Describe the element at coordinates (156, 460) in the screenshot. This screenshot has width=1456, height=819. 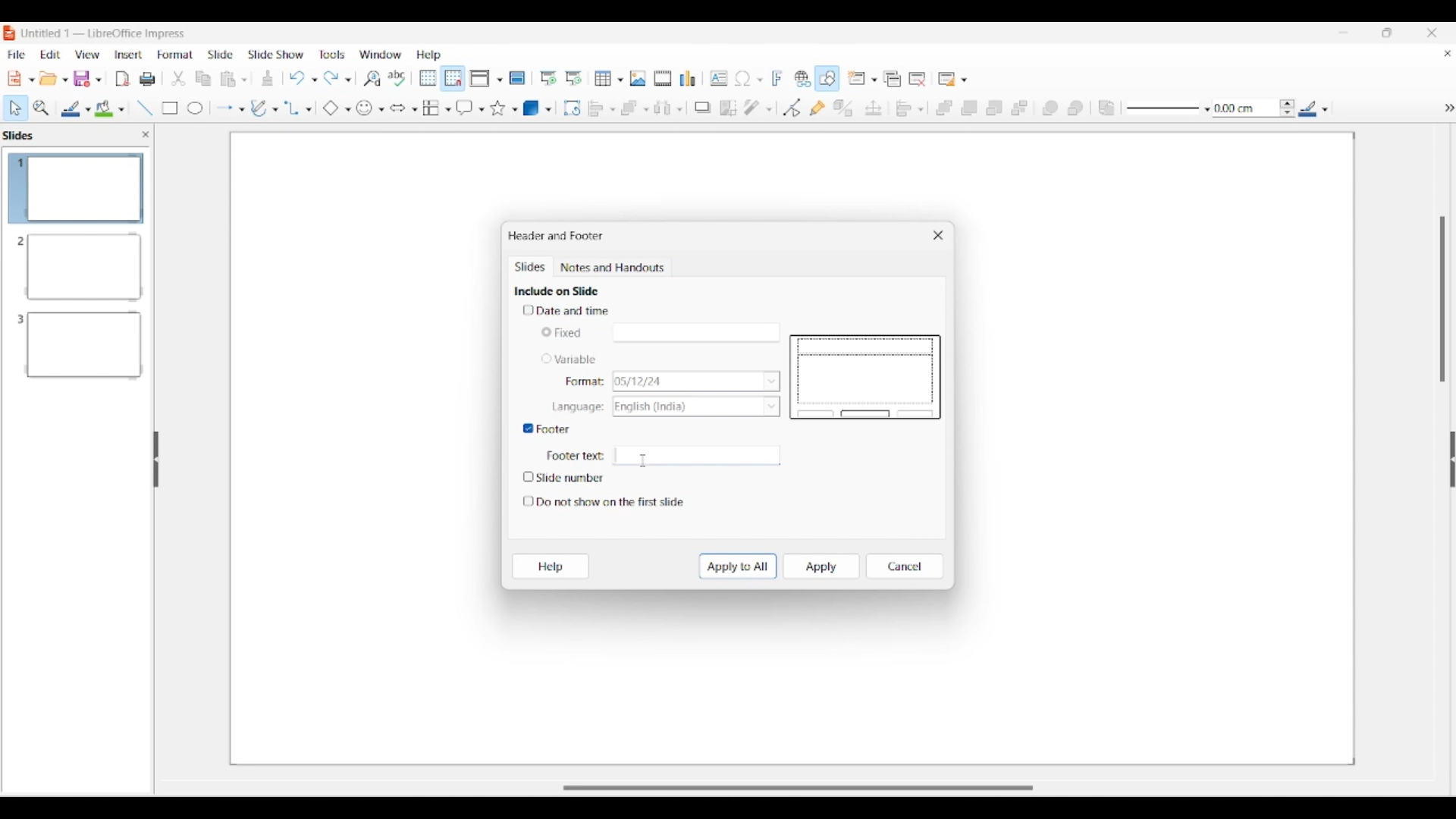
I see `Hide left panel` at that location.